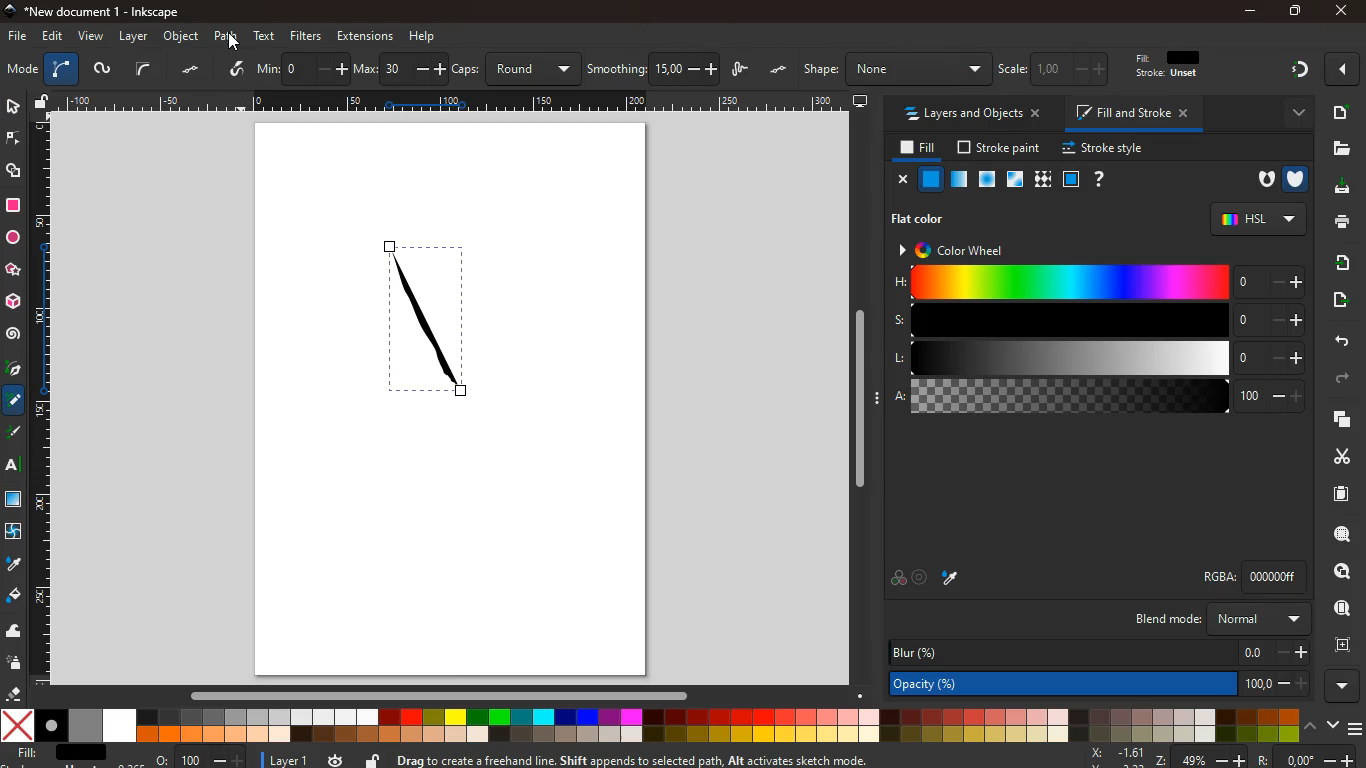 The height and width of the screenshot is (768, 1366). What do you see at coordinates (1100, 652) in the screenshot?
I see `blur` at bounding box center [1100, 652].